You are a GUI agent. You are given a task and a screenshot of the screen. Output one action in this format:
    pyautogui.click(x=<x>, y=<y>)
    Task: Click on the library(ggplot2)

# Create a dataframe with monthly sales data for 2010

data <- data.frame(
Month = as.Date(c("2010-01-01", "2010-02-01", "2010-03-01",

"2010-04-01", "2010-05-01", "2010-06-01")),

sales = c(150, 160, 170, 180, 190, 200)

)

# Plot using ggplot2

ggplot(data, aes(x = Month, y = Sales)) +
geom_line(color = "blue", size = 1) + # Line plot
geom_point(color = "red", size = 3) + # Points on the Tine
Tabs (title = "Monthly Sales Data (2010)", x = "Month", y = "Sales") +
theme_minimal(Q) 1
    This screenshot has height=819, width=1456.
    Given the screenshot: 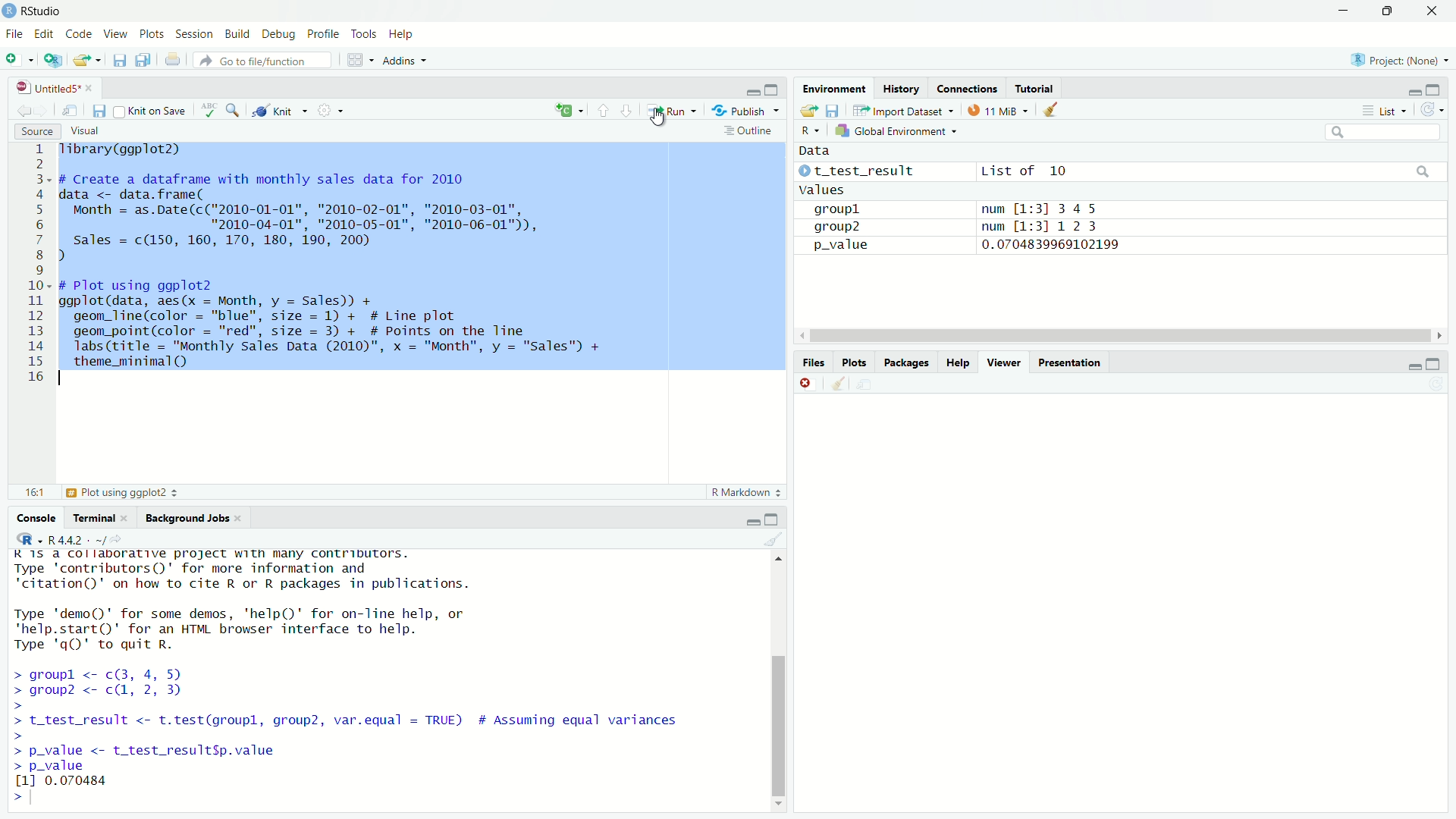 What is the action you would take?
    pyautogui.click(x=418, y=265)
    